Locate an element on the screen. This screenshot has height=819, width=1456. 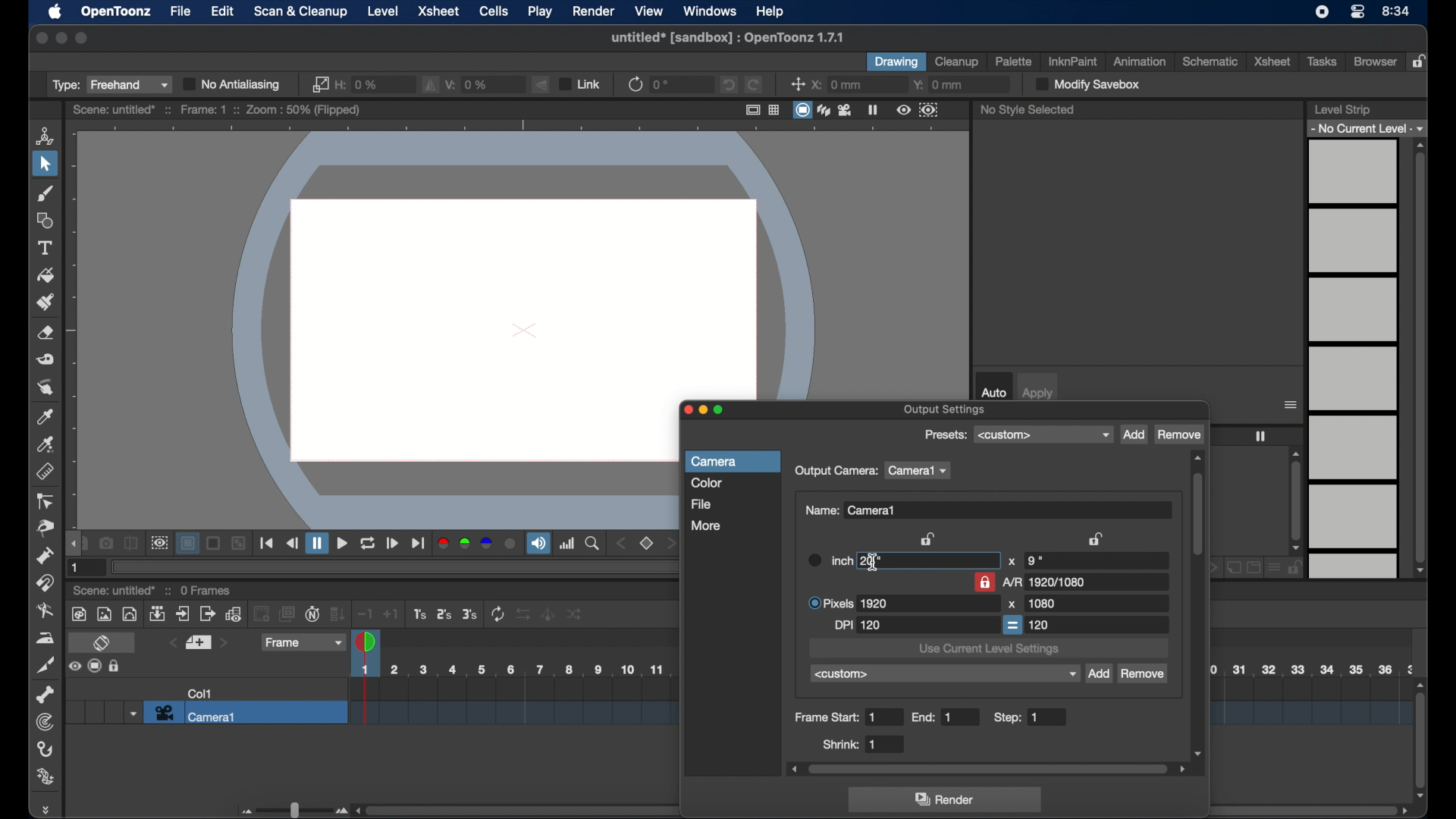
frame is located at coordinates (301, 642).